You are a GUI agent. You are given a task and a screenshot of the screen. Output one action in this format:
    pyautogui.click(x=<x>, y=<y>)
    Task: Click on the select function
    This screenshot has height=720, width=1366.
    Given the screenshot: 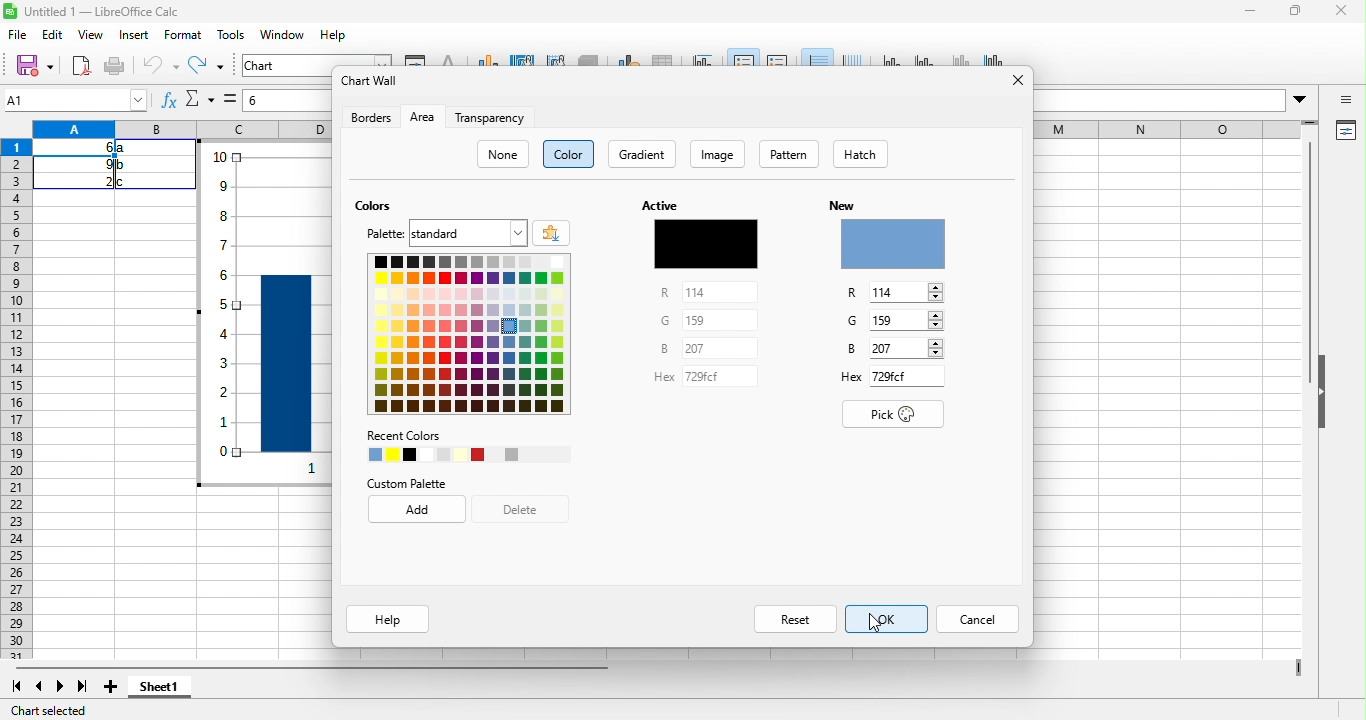 What is the action you would take?
    pyautogui.click(x=198, y=99)
    